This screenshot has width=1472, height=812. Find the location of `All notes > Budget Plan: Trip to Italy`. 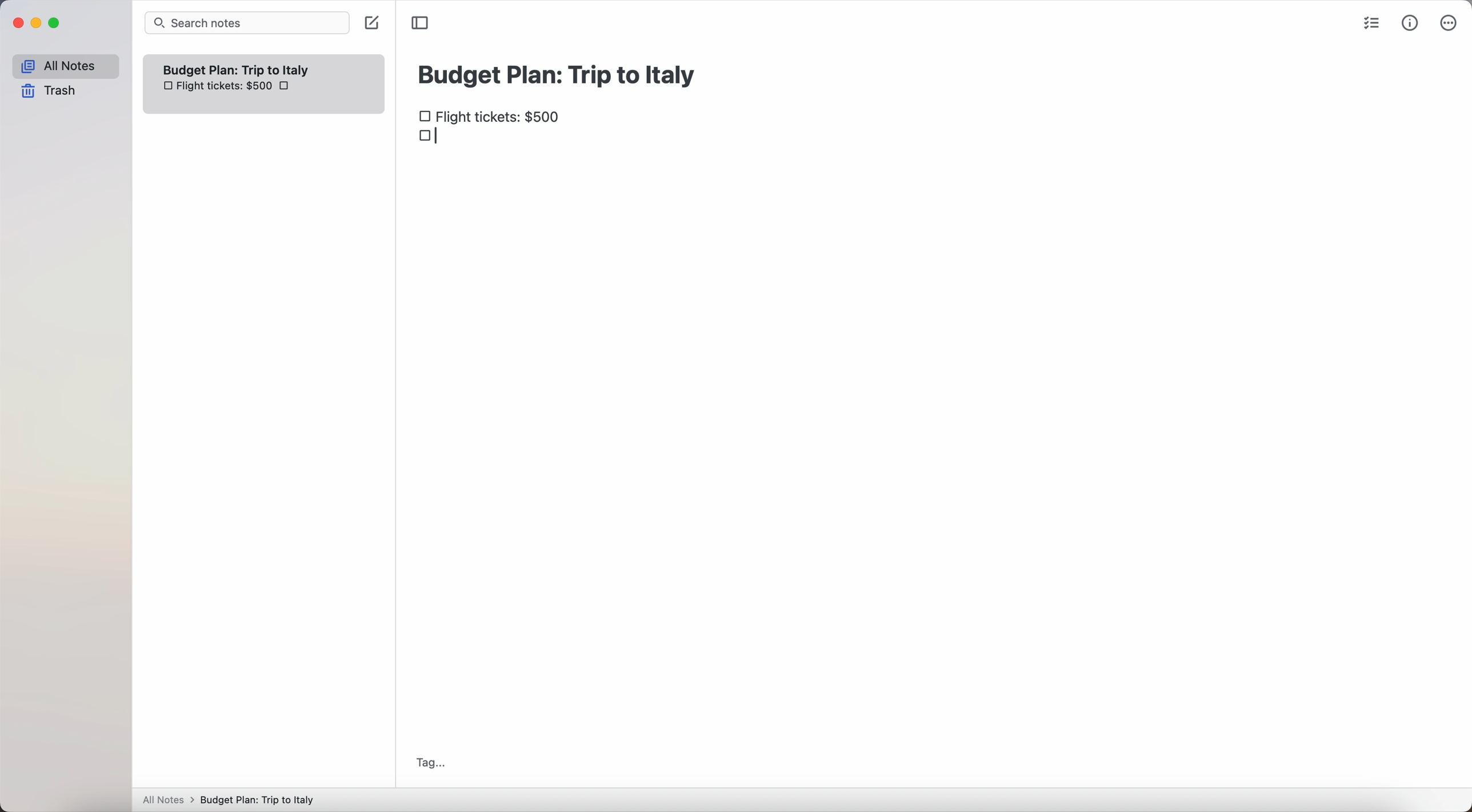

All notes > Budget Plan: Trip to Italy is located at coordinates (234, 799).